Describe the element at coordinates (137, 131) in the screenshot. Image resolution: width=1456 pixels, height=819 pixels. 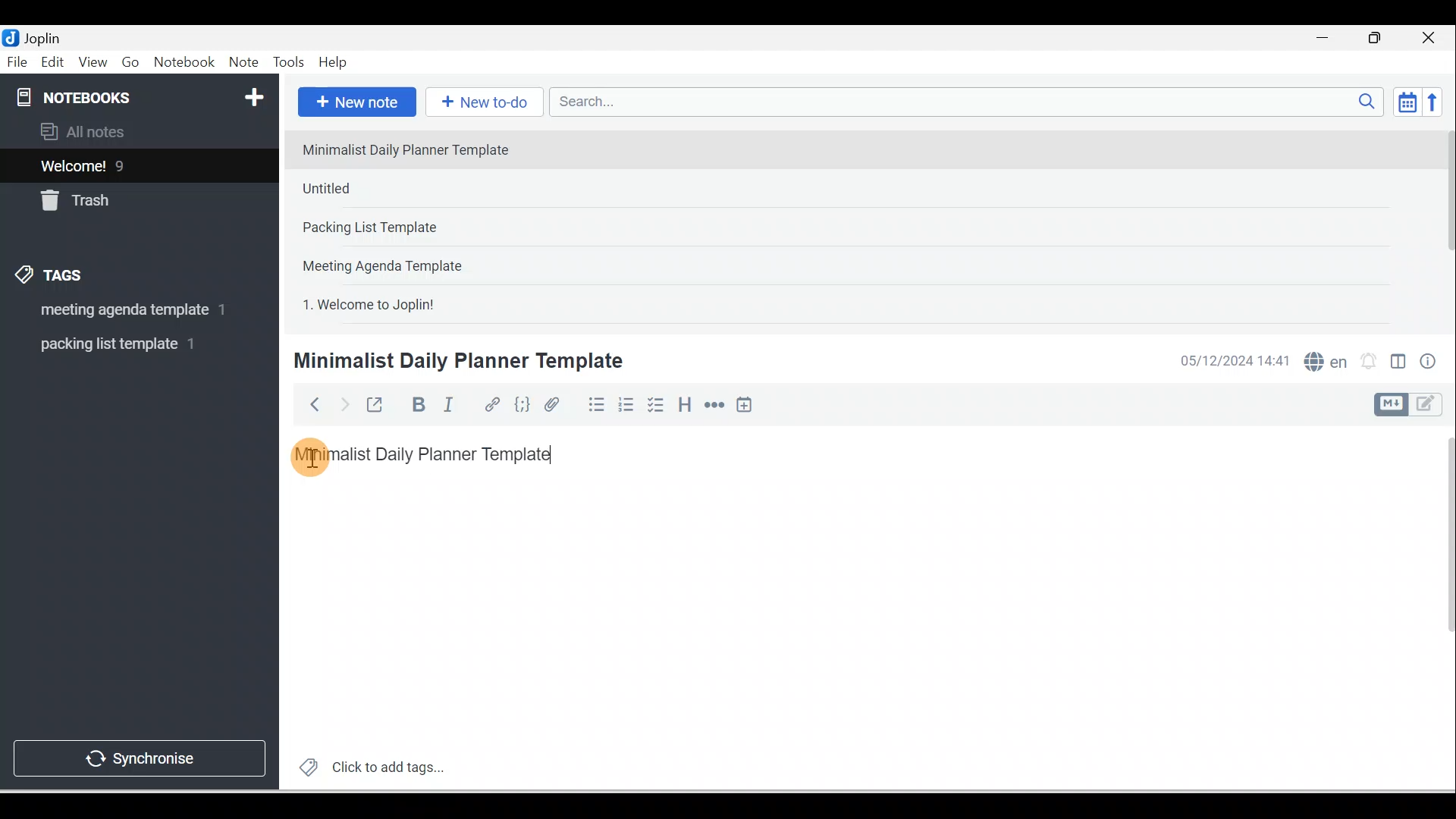
I see `All notes` at that location.